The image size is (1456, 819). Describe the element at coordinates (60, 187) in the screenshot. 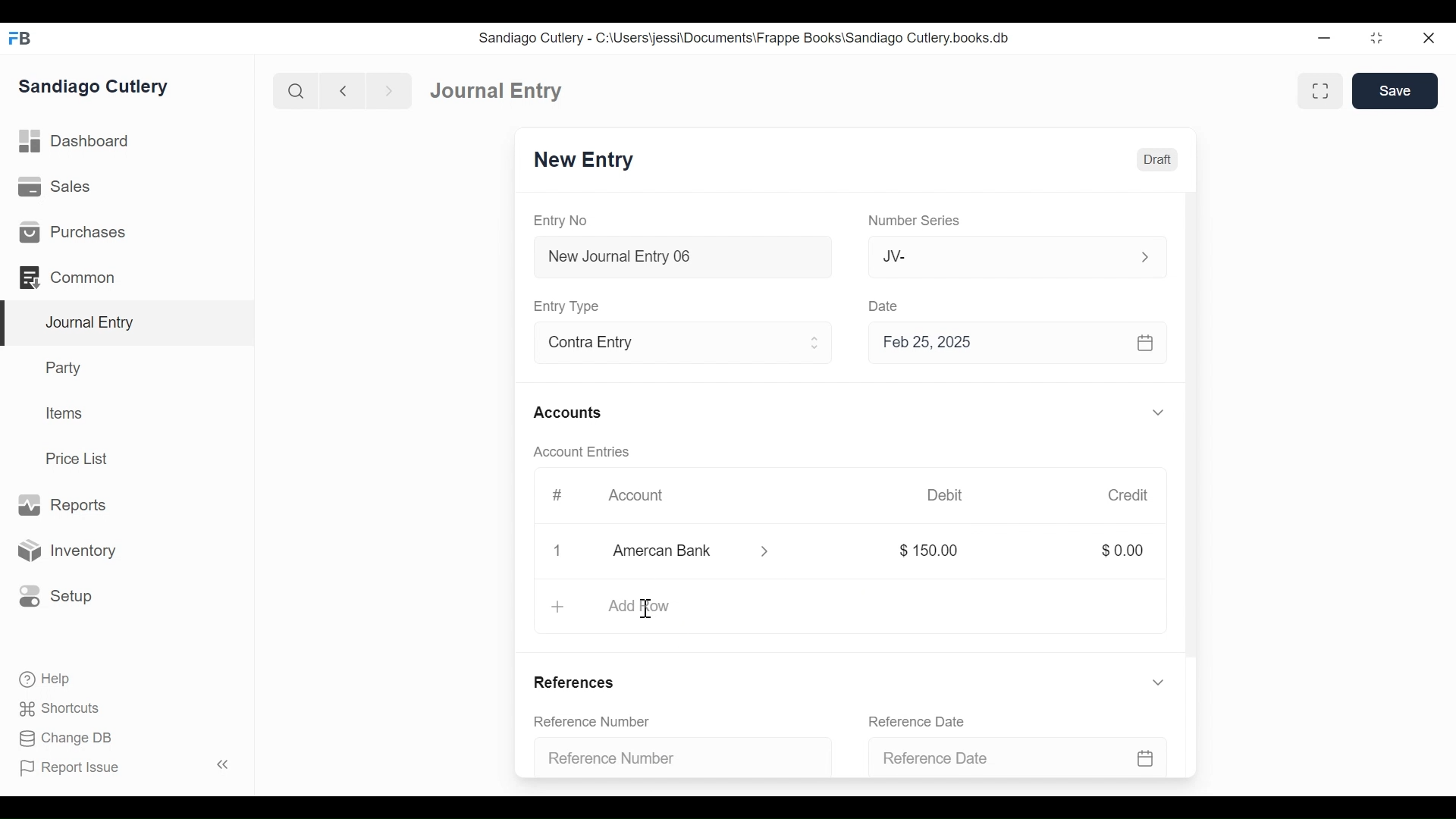

I see `Sales` at that location.